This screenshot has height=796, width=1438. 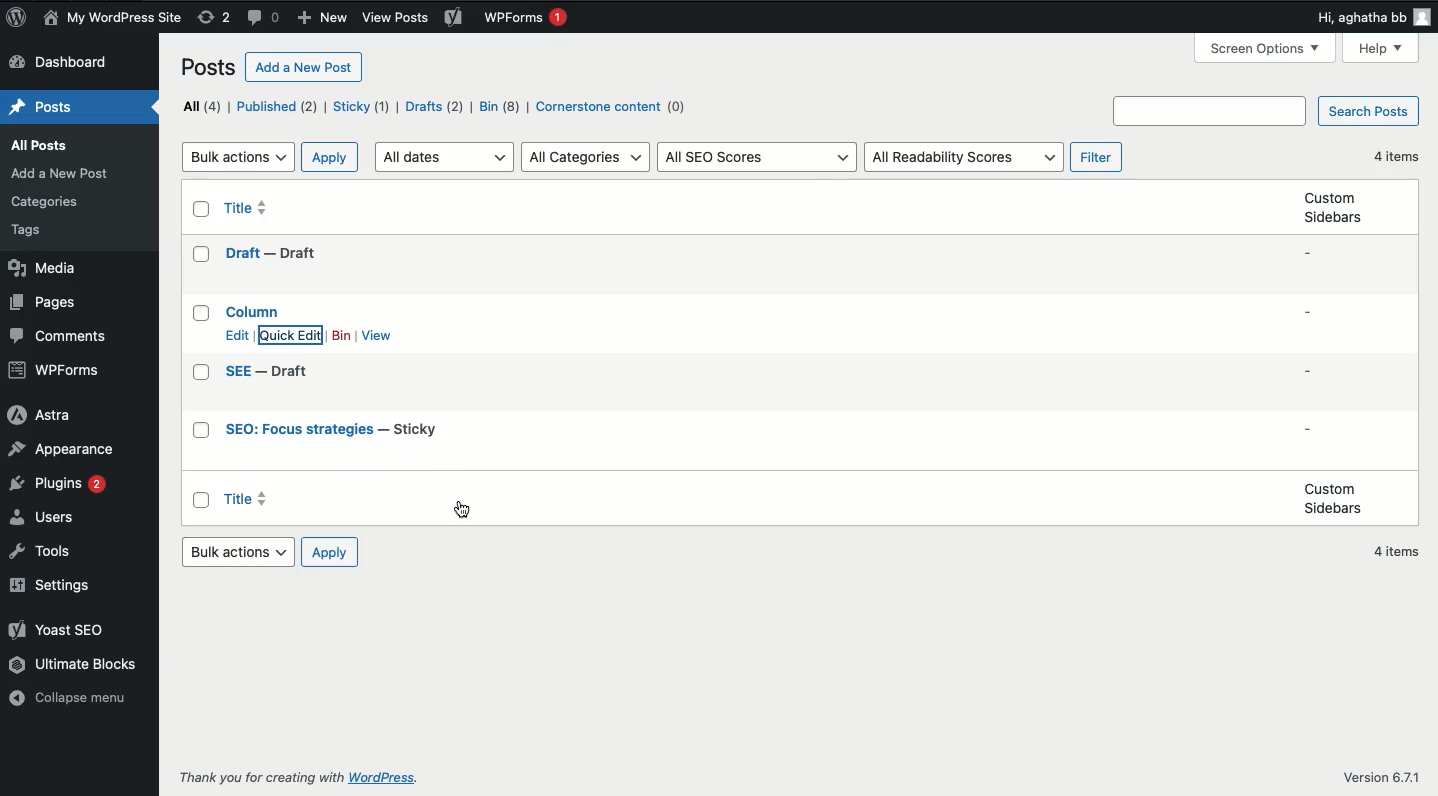 I want to click on checkbox, so click(x=201, y=432).